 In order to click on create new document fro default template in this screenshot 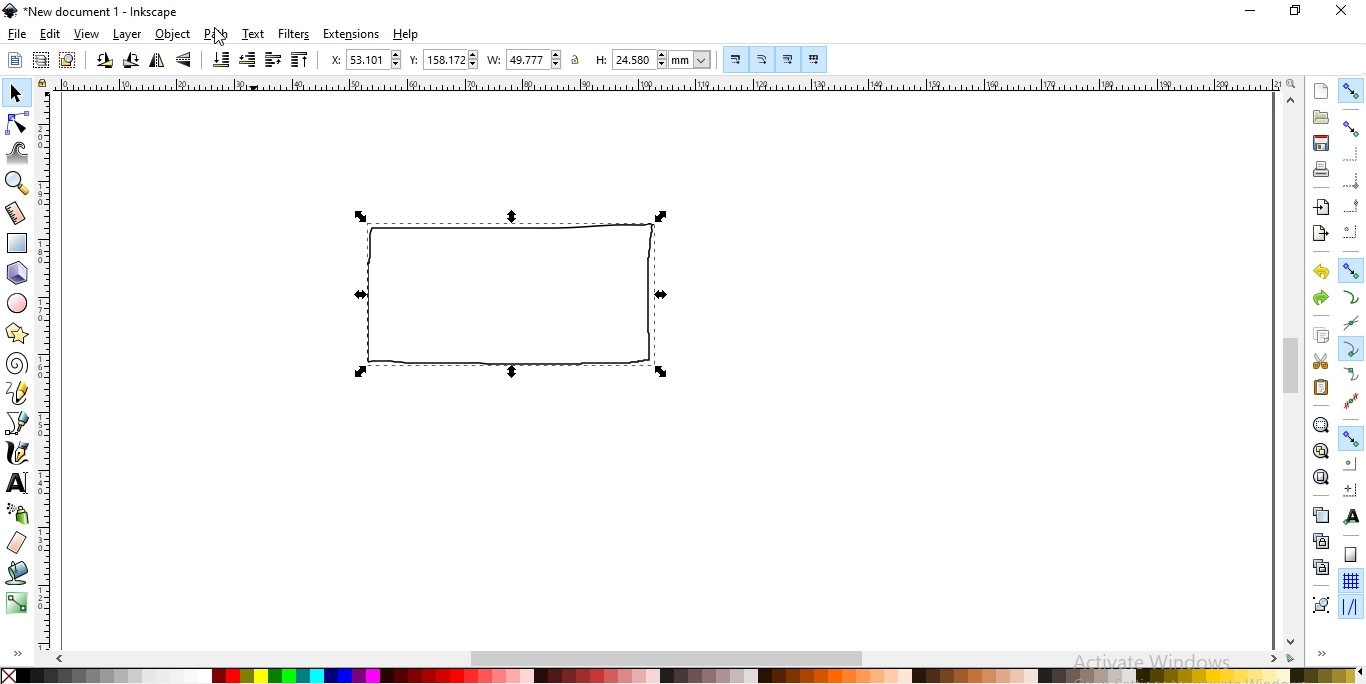, I will do `click(1320, 92)`.